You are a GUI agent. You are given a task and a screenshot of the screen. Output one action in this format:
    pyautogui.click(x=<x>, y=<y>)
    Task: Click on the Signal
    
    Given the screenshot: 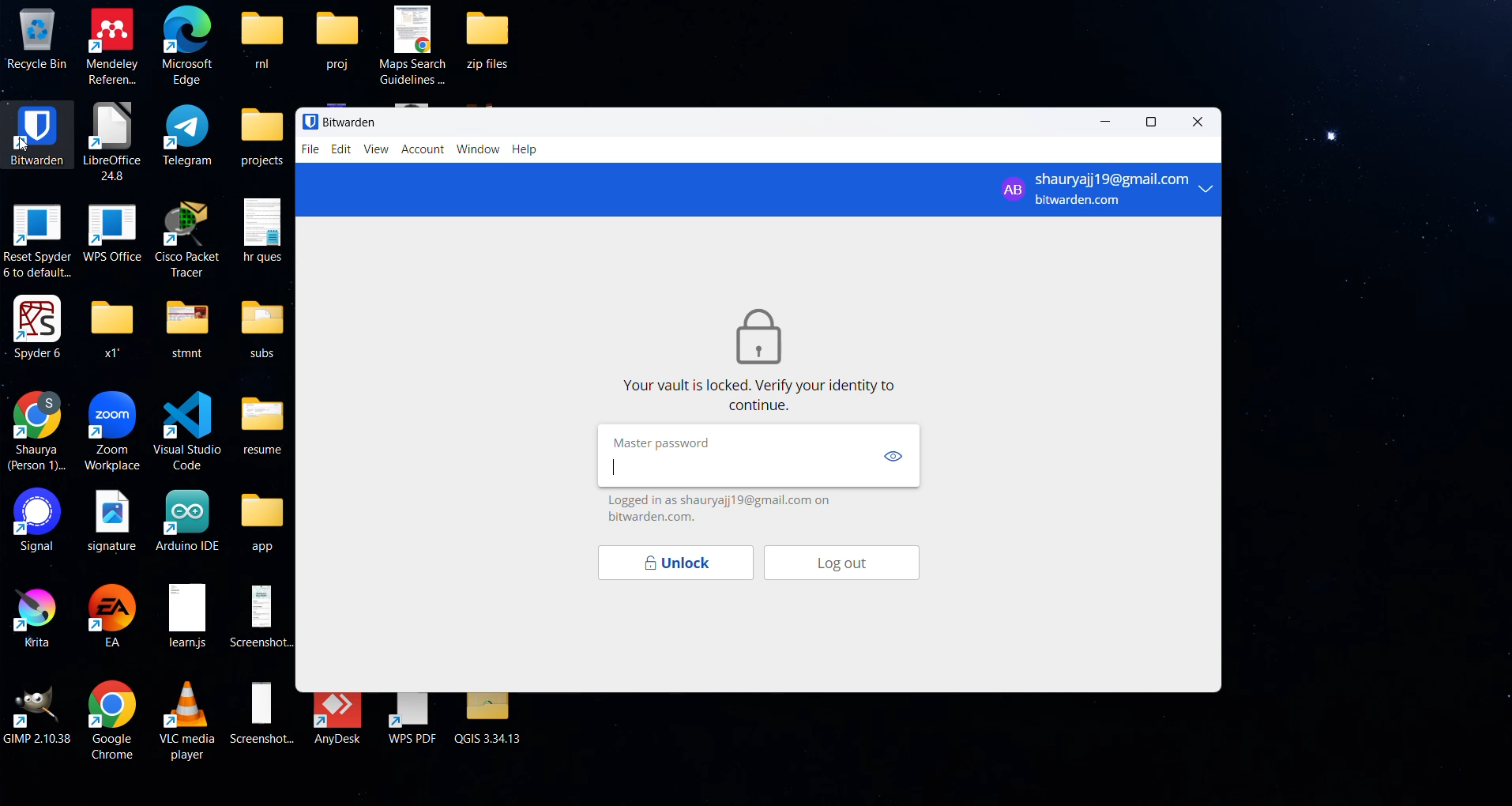 What is the action you would take?
    pyautogui.click(x=32, y=521)
    